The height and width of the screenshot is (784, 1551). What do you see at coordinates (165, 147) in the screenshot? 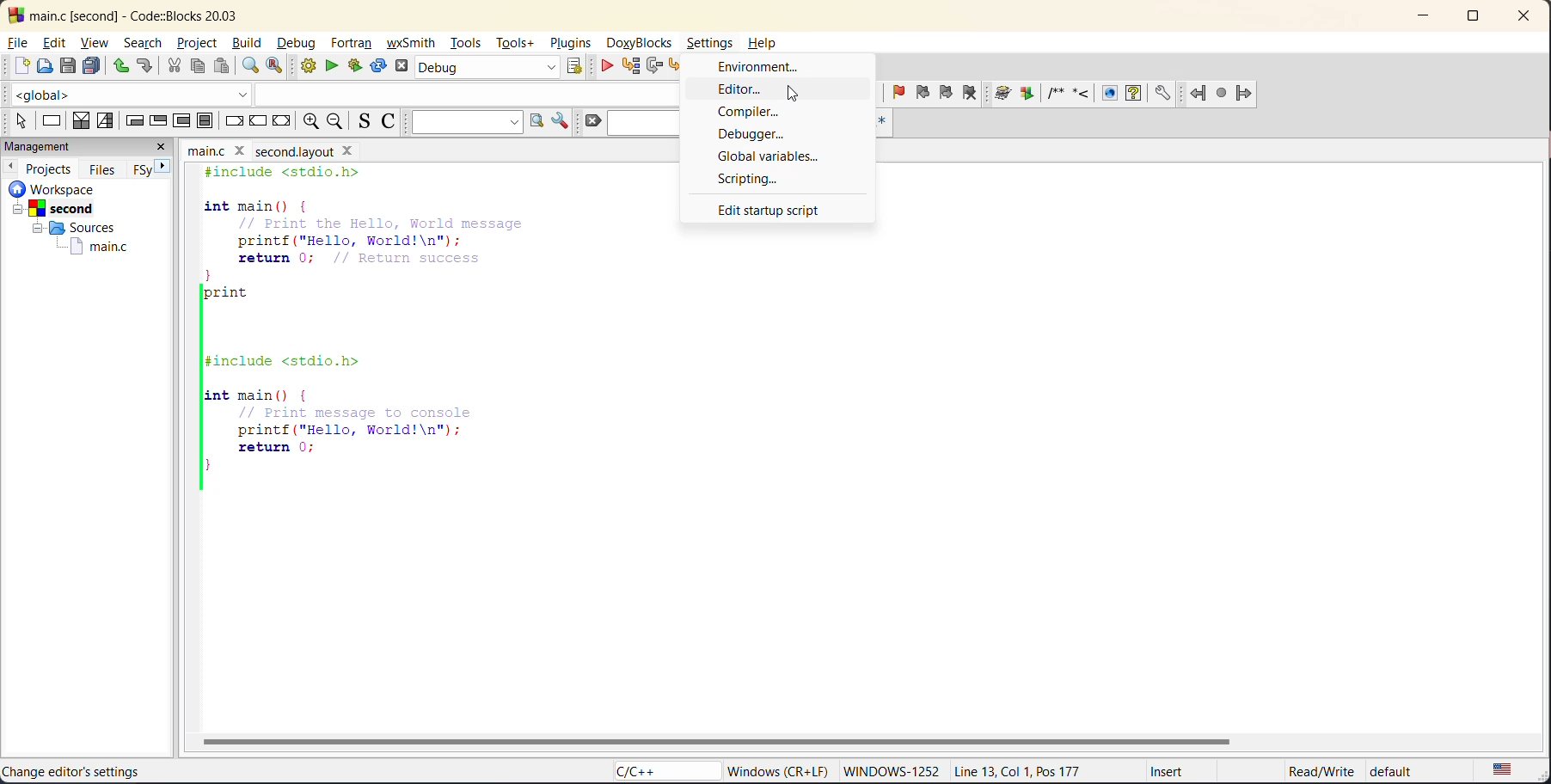
I see `close` at bounding box center [165, 147].